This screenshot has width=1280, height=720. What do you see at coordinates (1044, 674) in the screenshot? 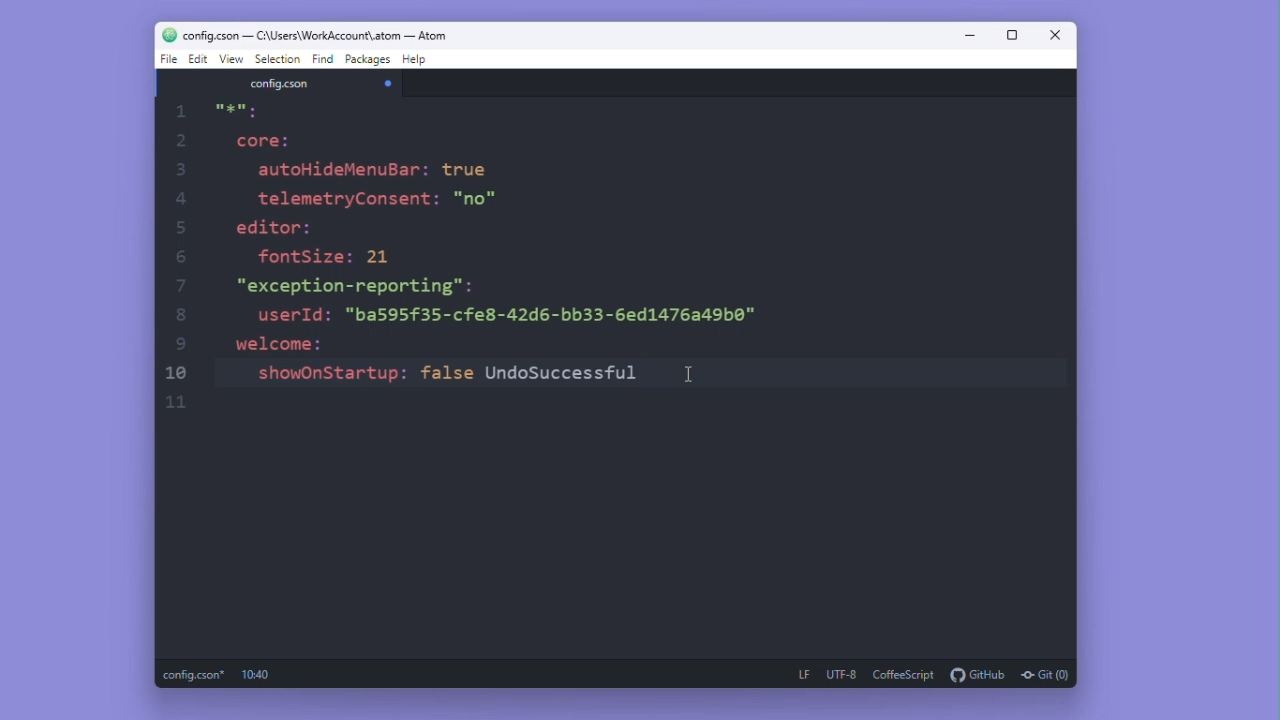
I see `git(0)` at bounding box center [1044, 674].